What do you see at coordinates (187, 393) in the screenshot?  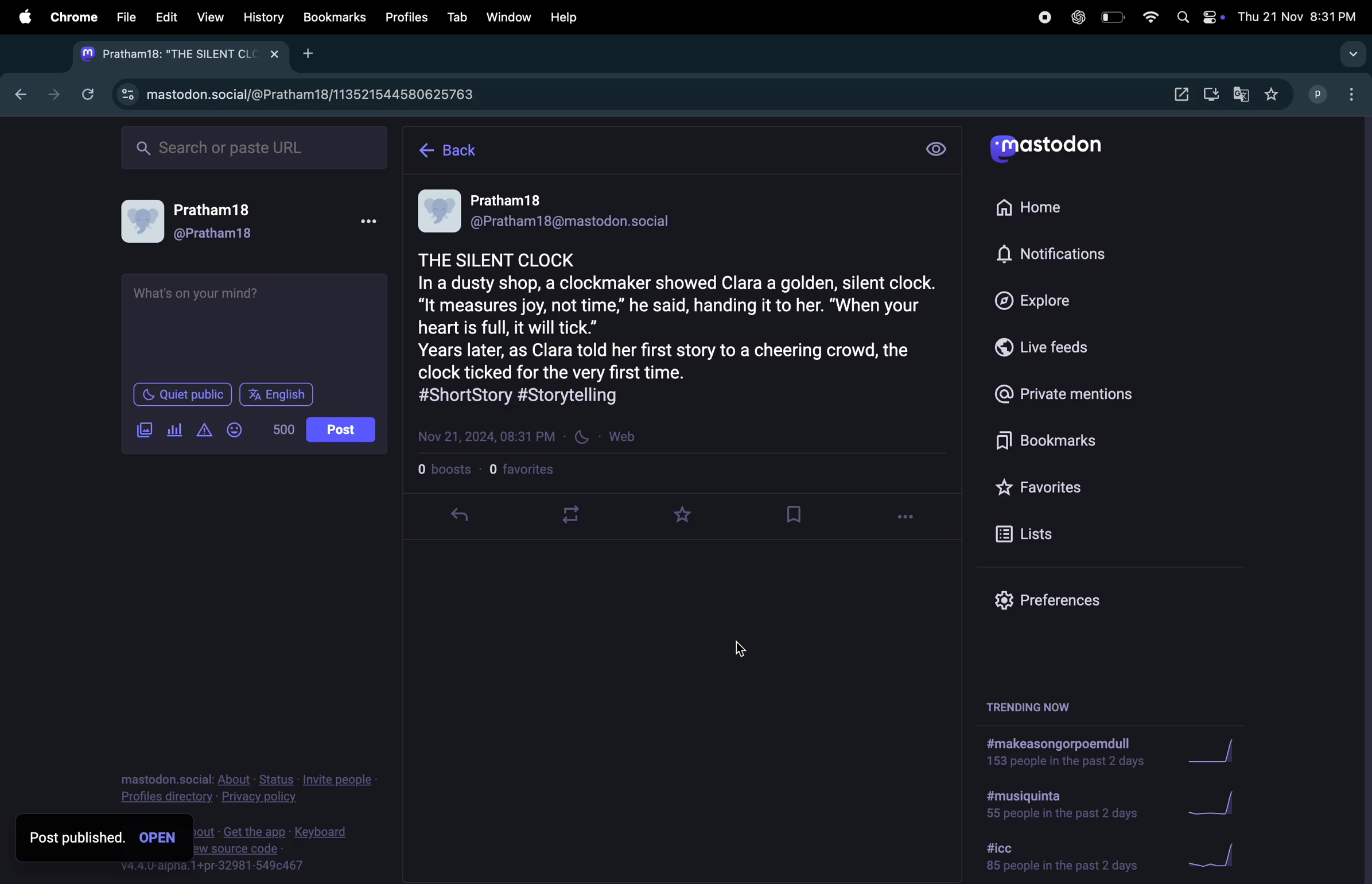 I see `quiet place` at bounding box center [187, 393].